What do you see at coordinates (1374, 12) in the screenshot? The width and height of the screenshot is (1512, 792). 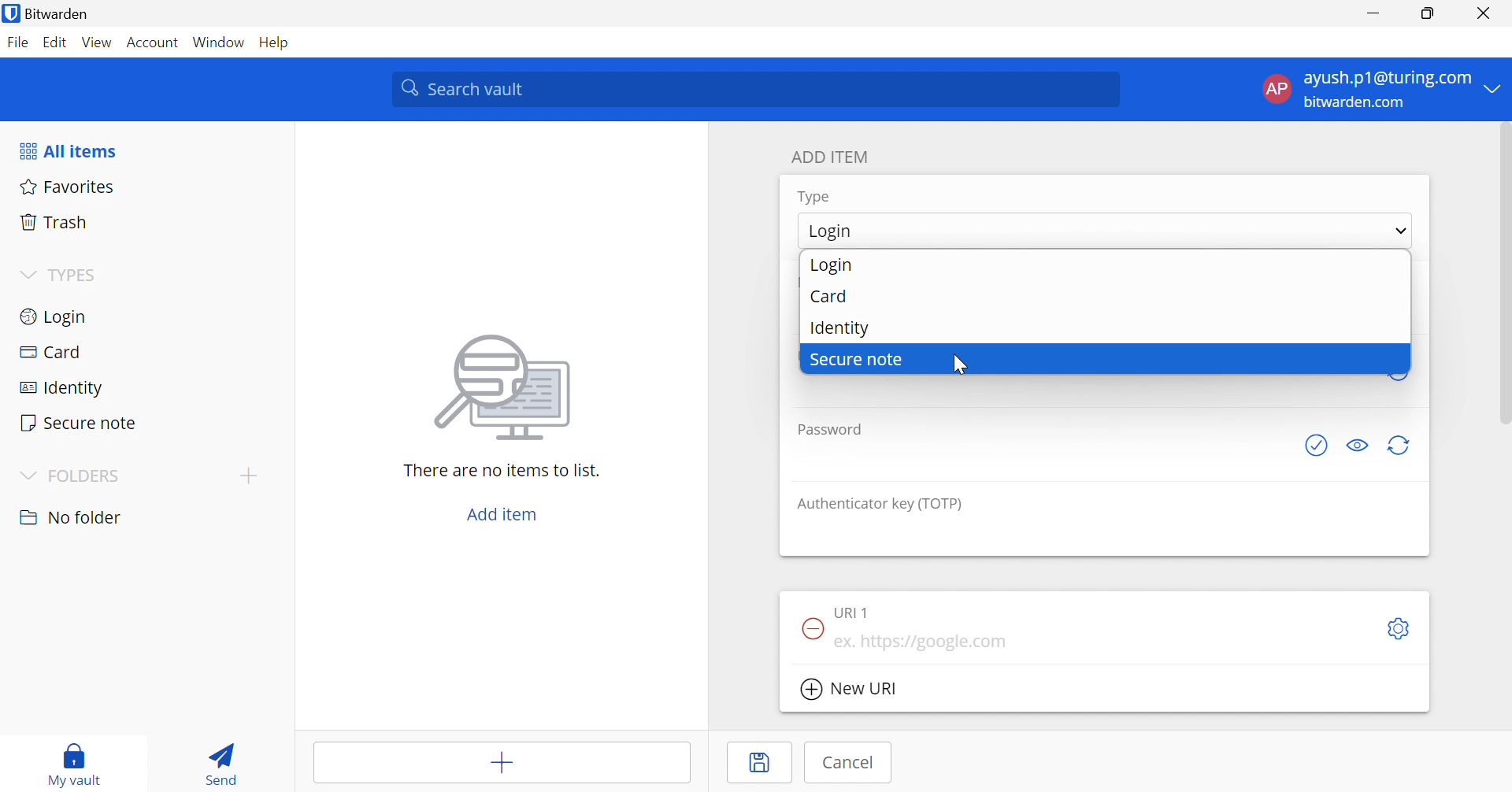 I see `Minimize` at bounding box center [1374, 12].